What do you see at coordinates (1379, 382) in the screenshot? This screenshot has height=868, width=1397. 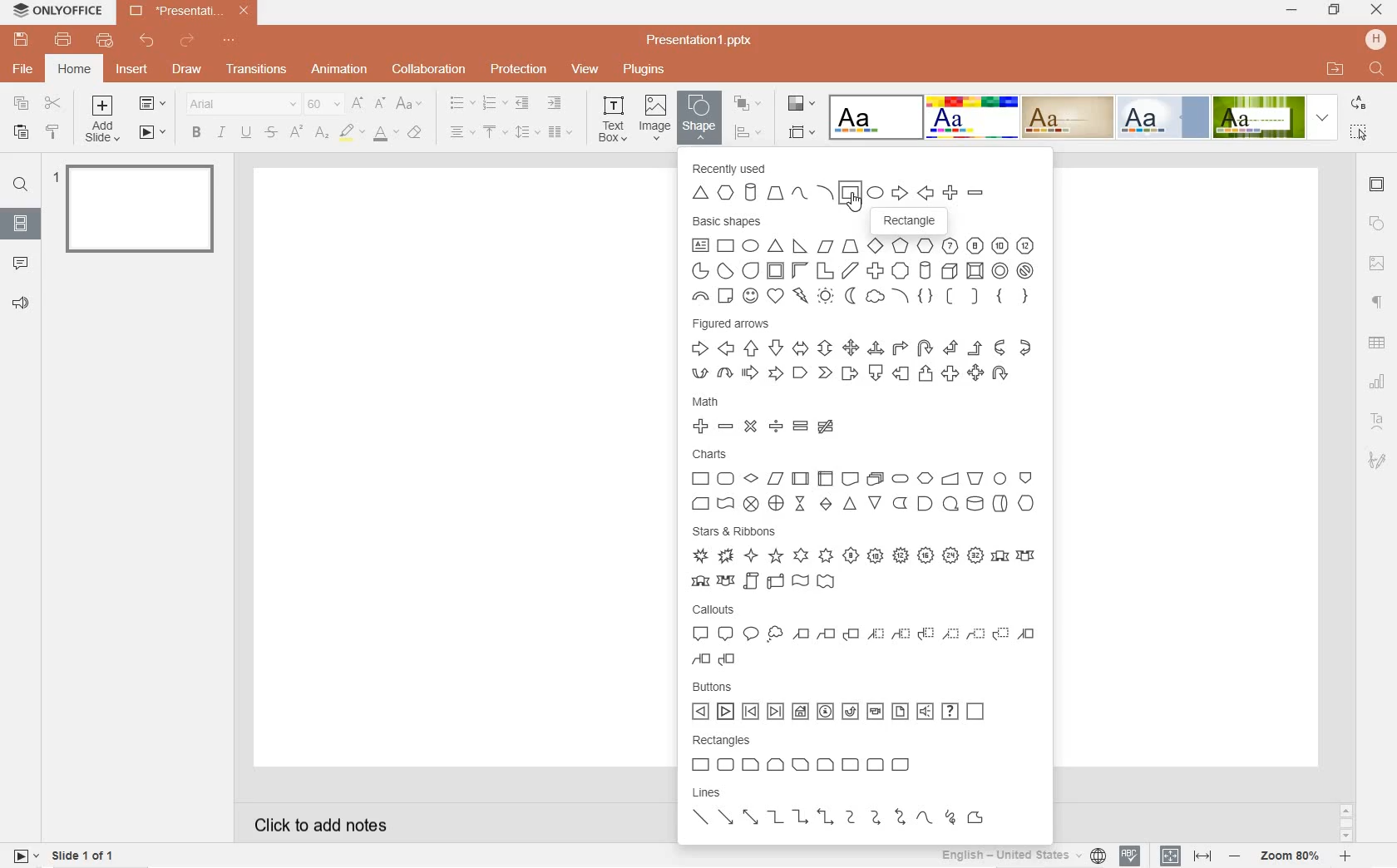 I see `chart settings` at bounding box center [1379, 382].